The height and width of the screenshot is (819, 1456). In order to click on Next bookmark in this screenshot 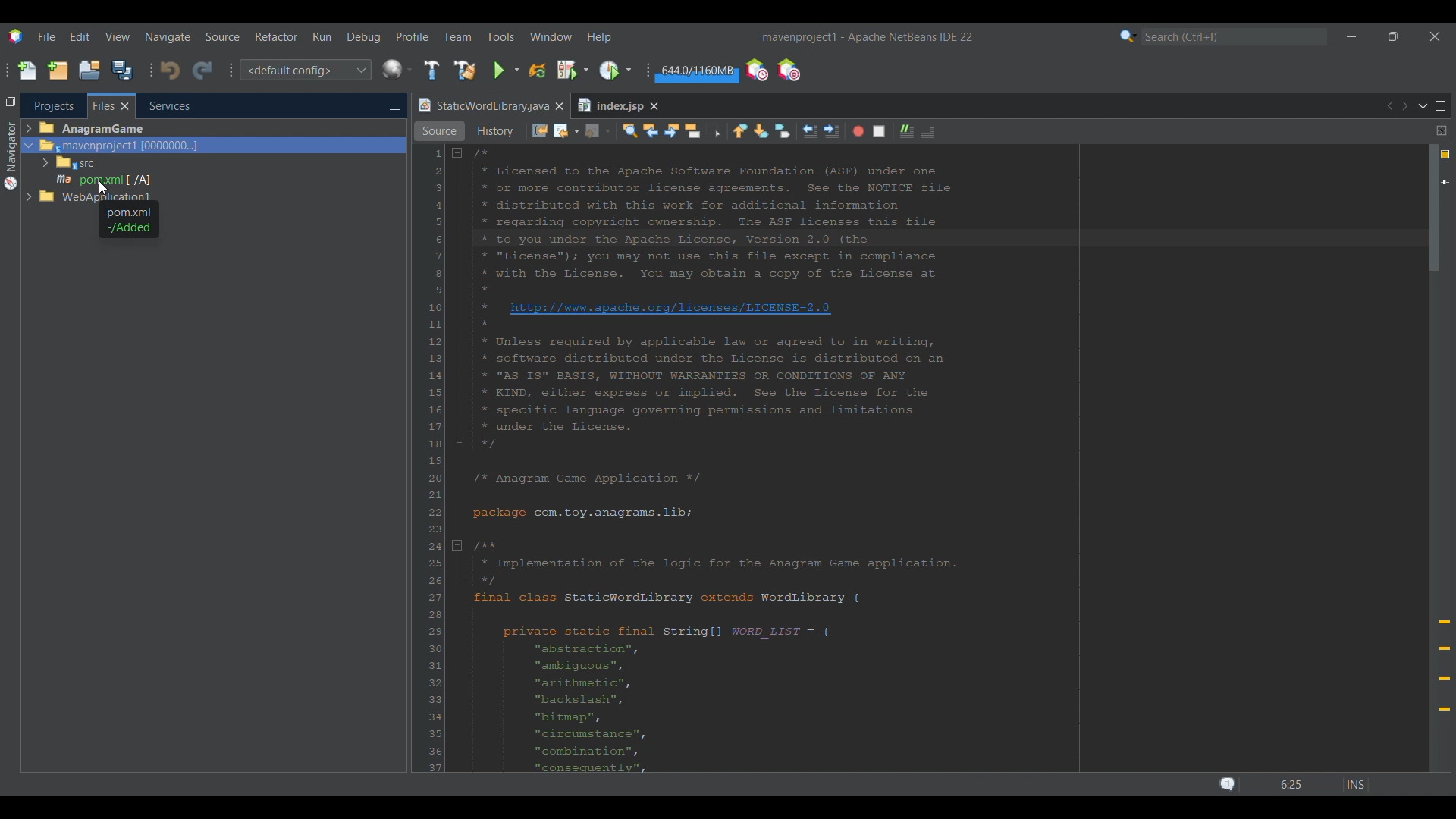, I will do `click(761, 131)`.